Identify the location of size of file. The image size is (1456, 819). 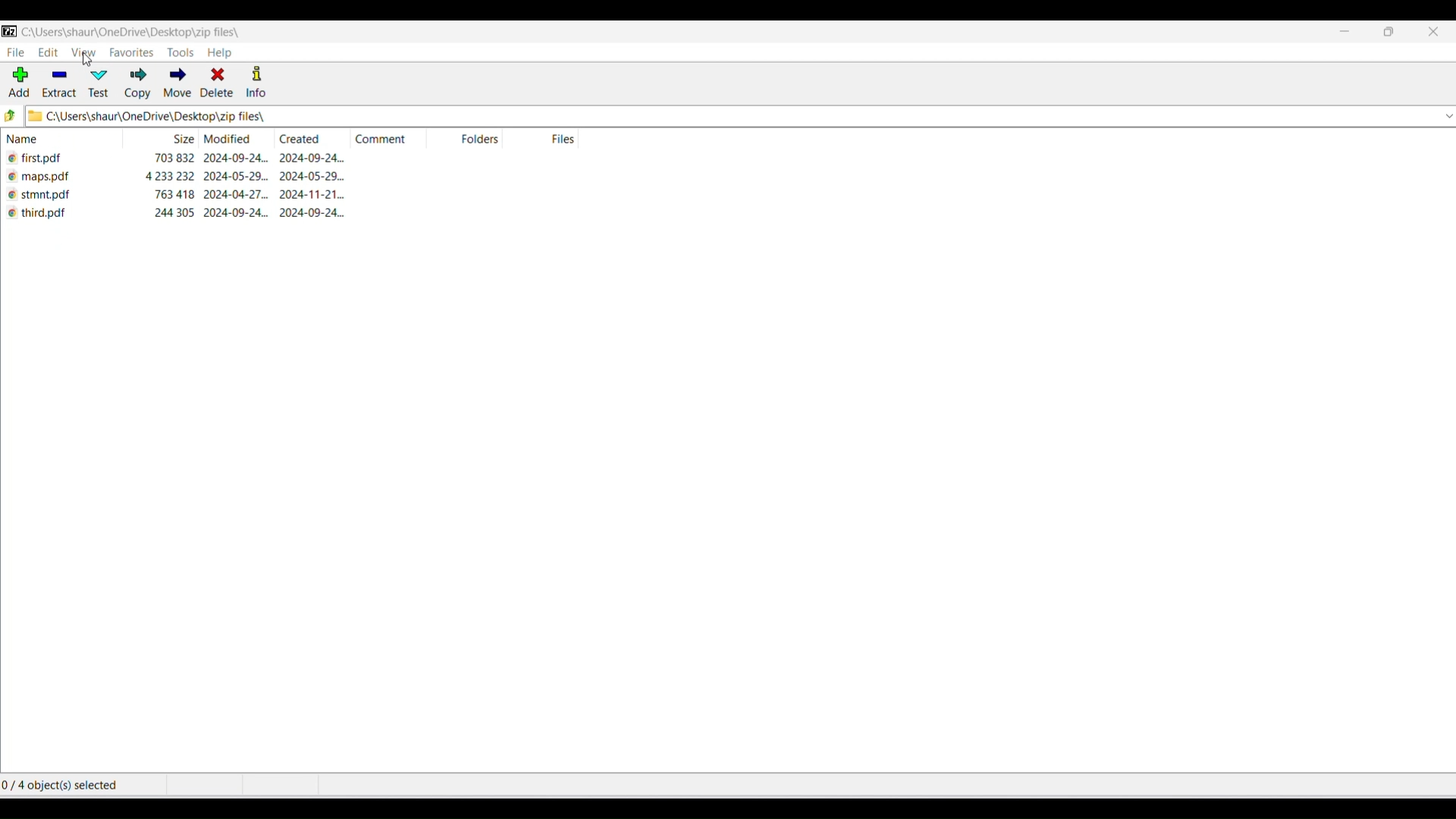
(172, 213).